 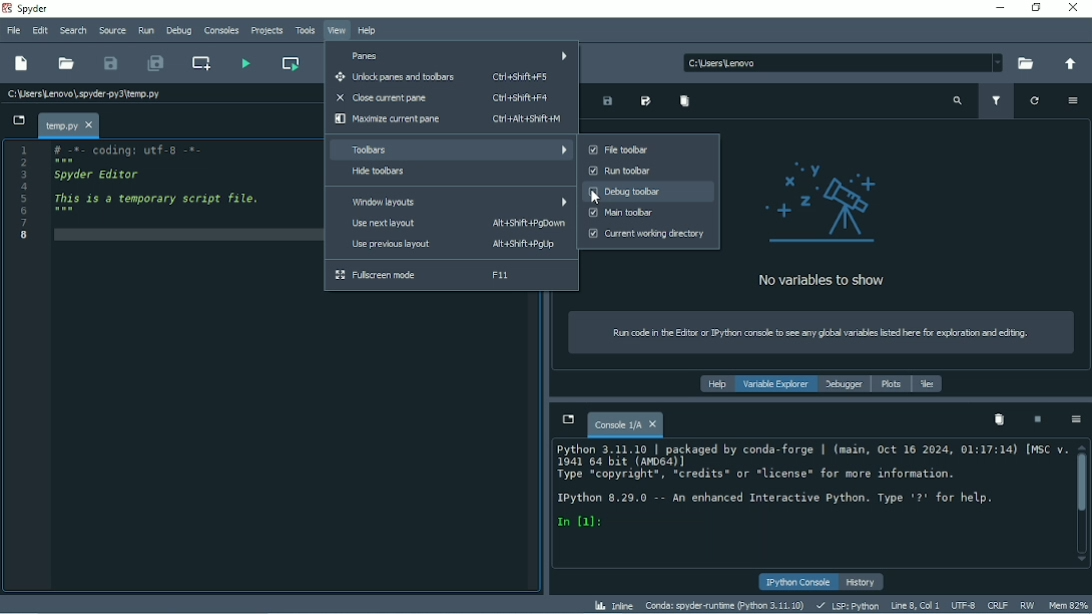 I want to click on Vertical scrollbar, so click(x=1082, y=483).